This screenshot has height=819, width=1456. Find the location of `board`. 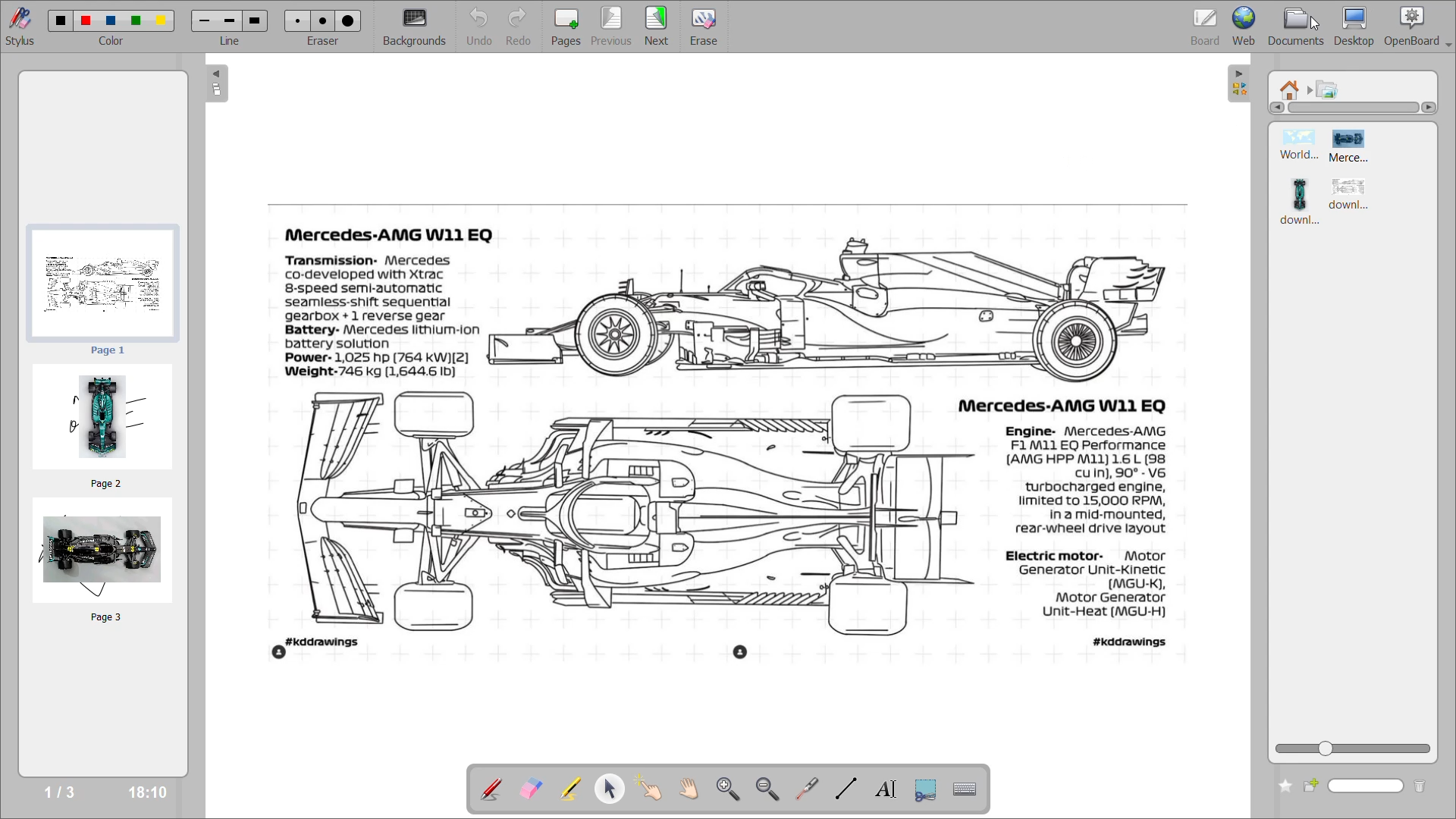

board is located at coordinates (1202, 27).